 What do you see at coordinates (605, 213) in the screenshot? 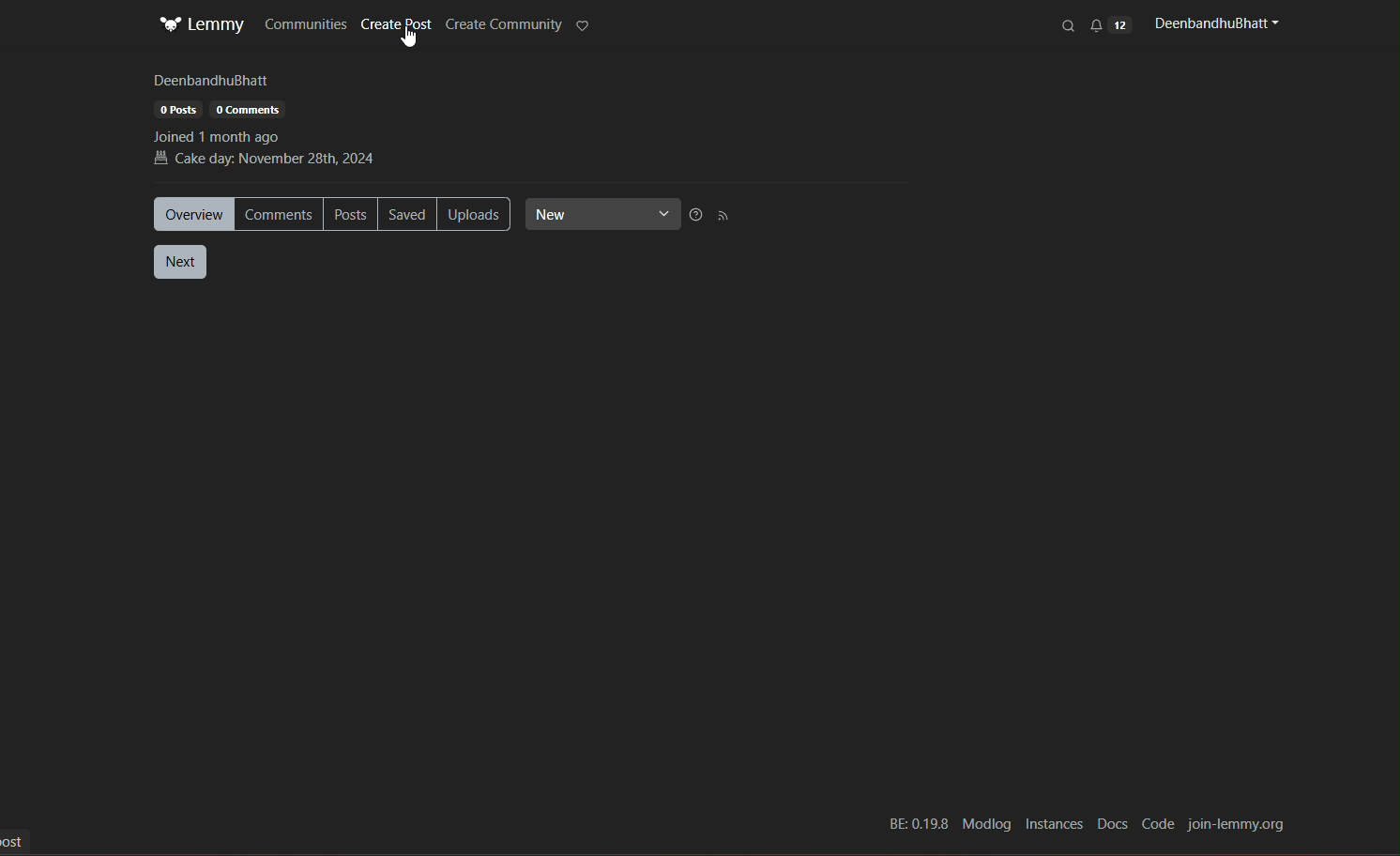
I see `New` at bounding box center [605, 213].